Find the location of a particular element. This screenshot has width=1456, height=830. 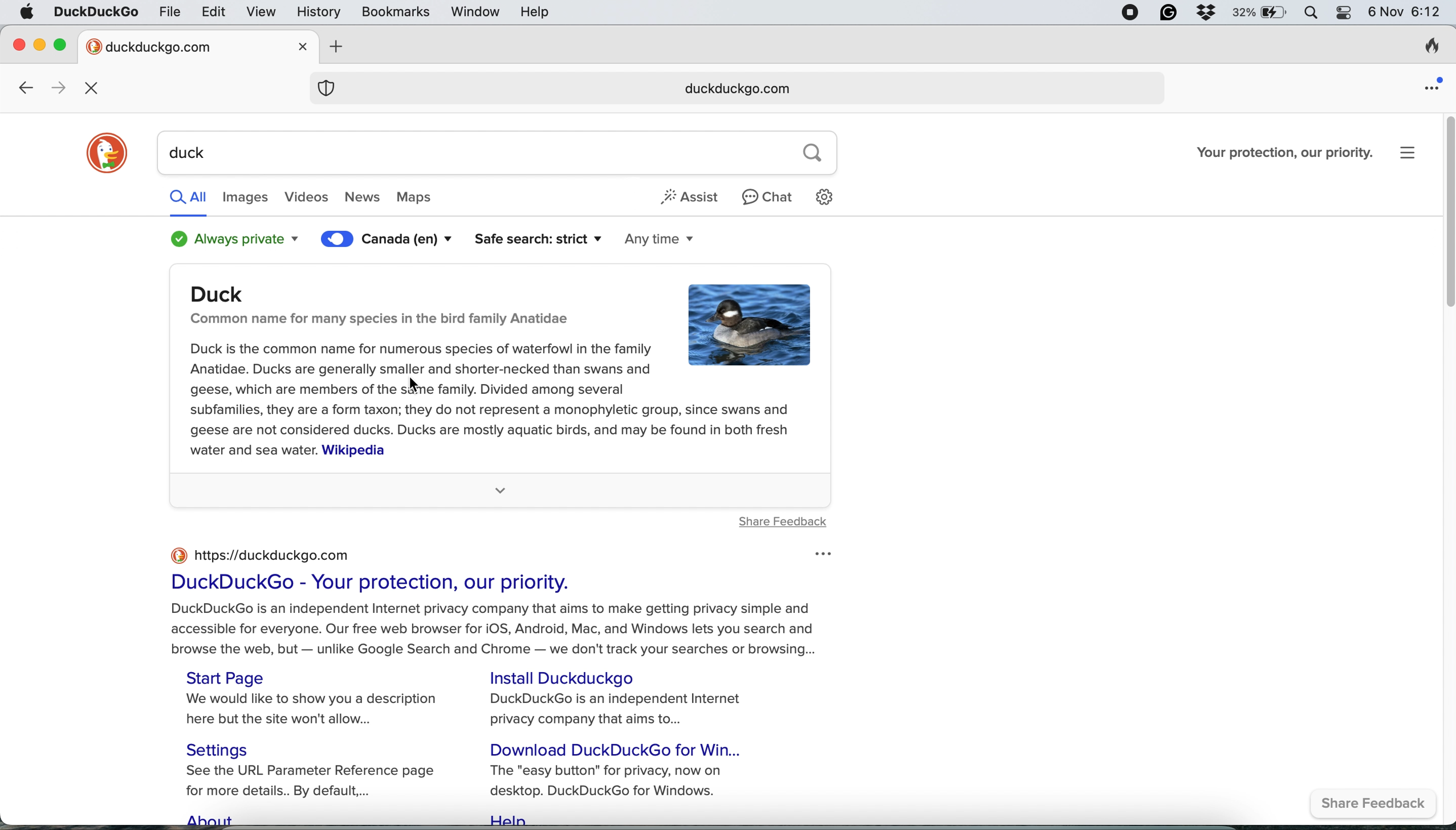

help is located at coordinates (537, 12).